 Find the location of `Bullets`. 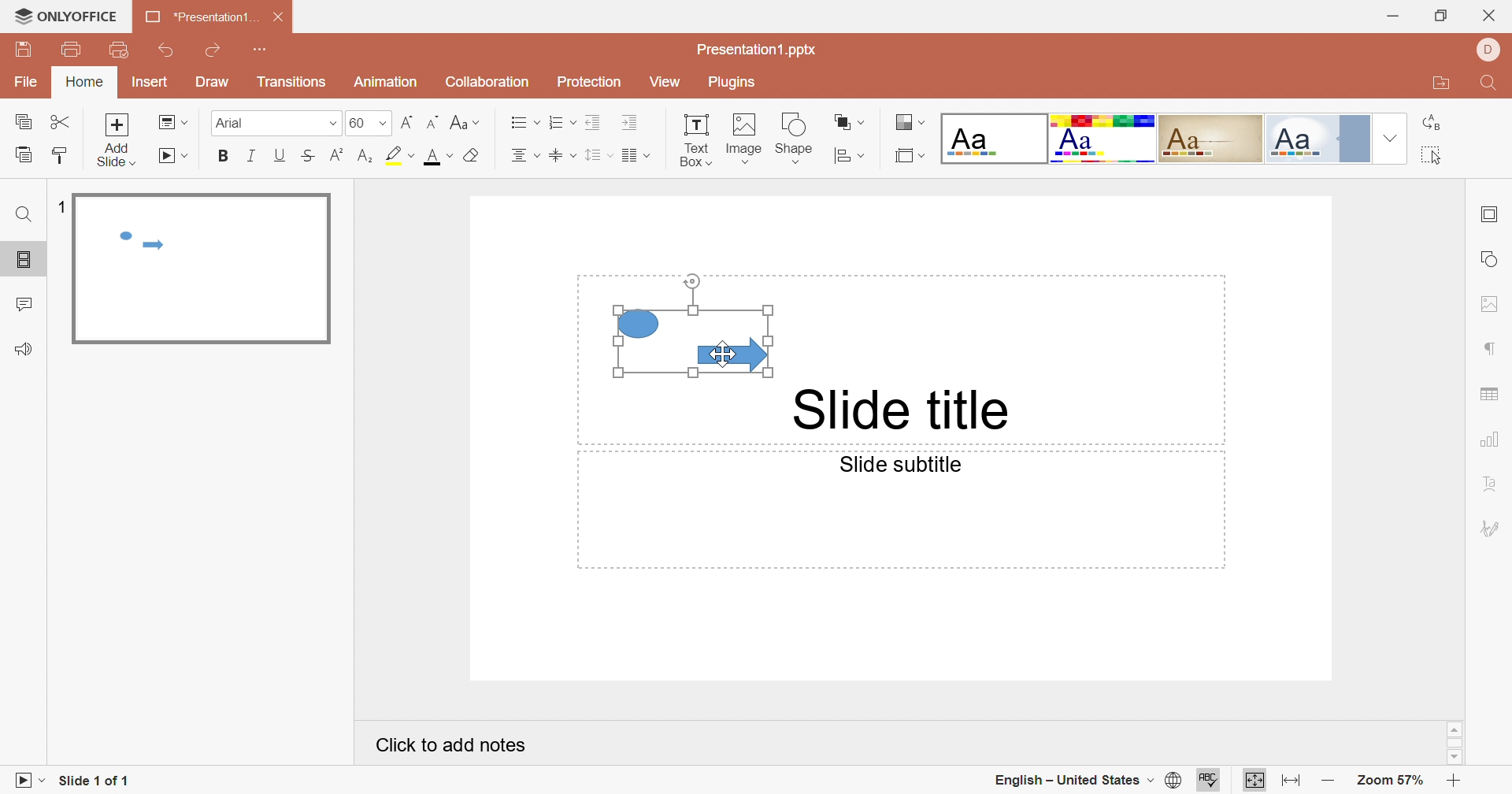

Bullets is located at coordinates (524, 124).